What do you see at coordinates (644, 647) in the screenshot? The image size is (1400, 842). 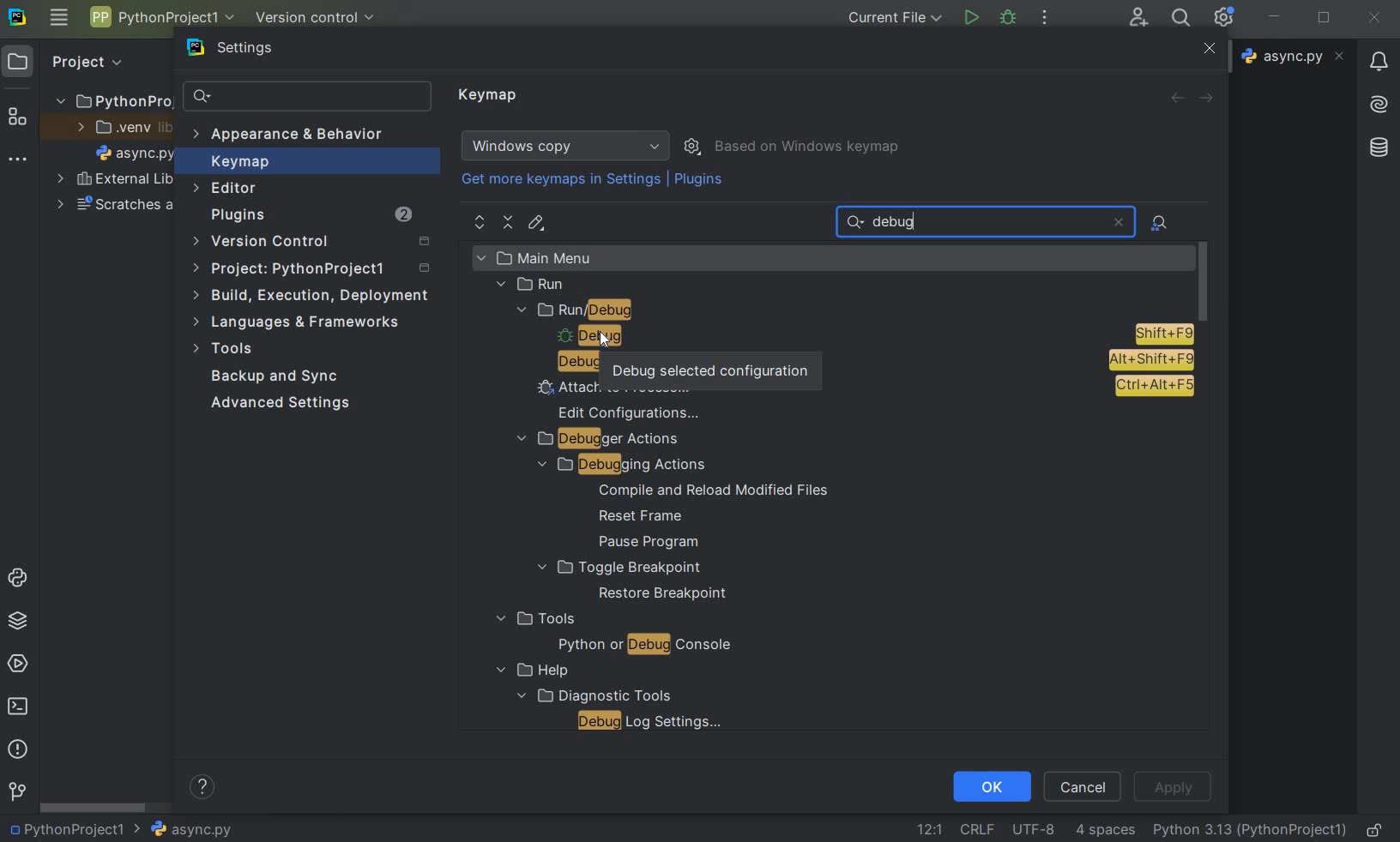 I see `python or debug console` at bounding box center [644, 647].